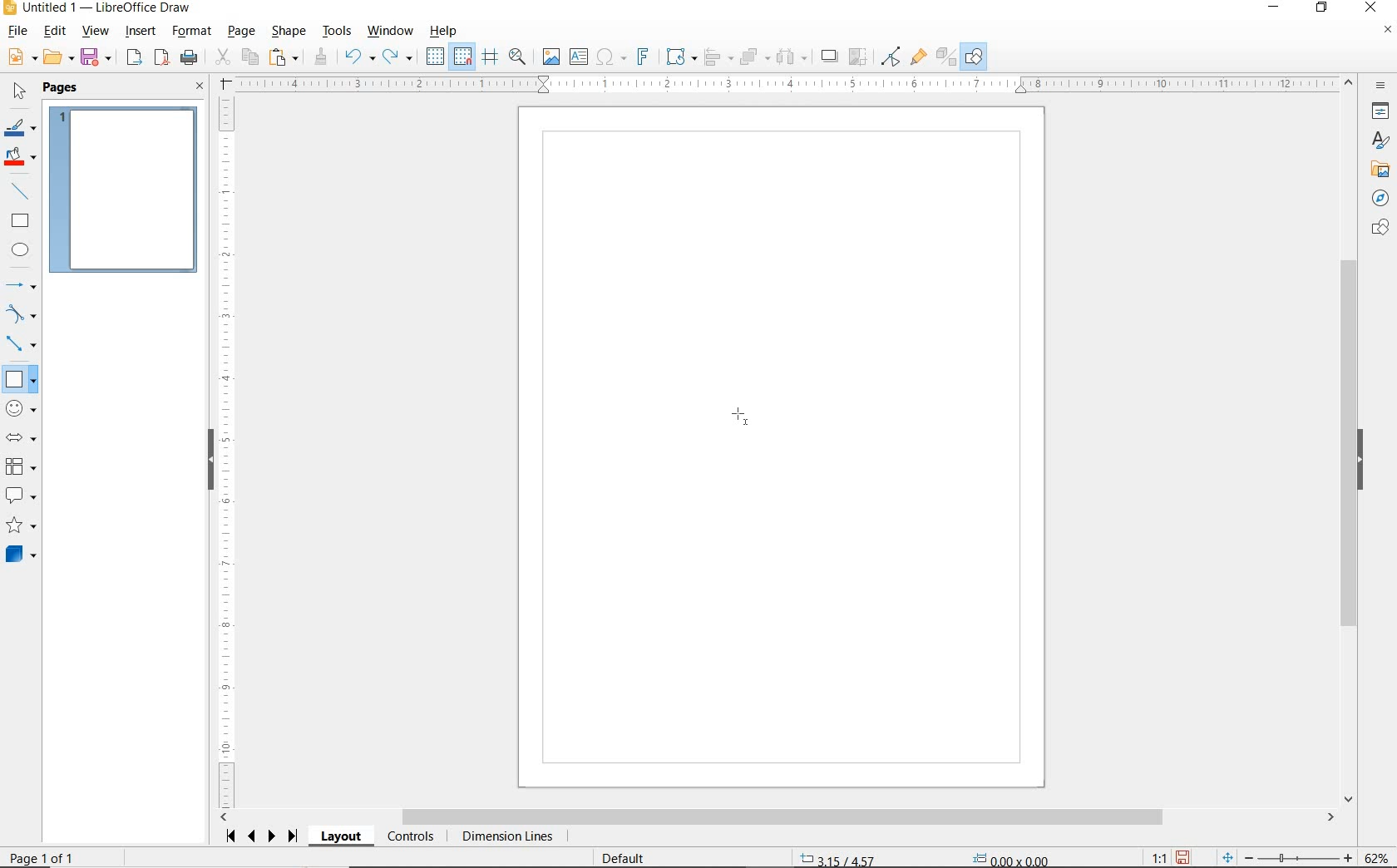 The image size is (1397, 868). Describe the element at coordinates (26, 437) in the screenshot. I see `BLOCK ARROWS` at that location.